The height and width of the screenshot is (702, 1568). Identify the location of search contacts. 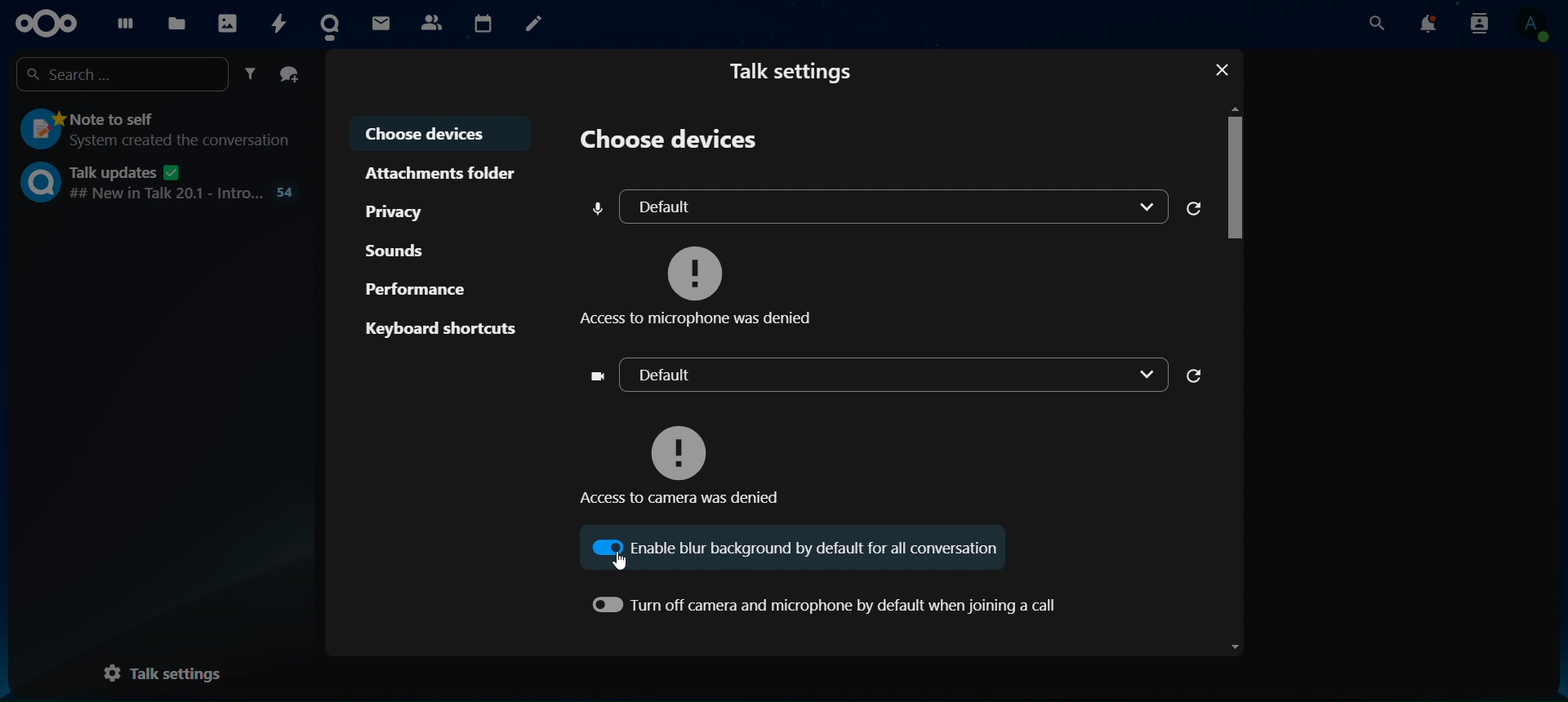
(1376, 23).